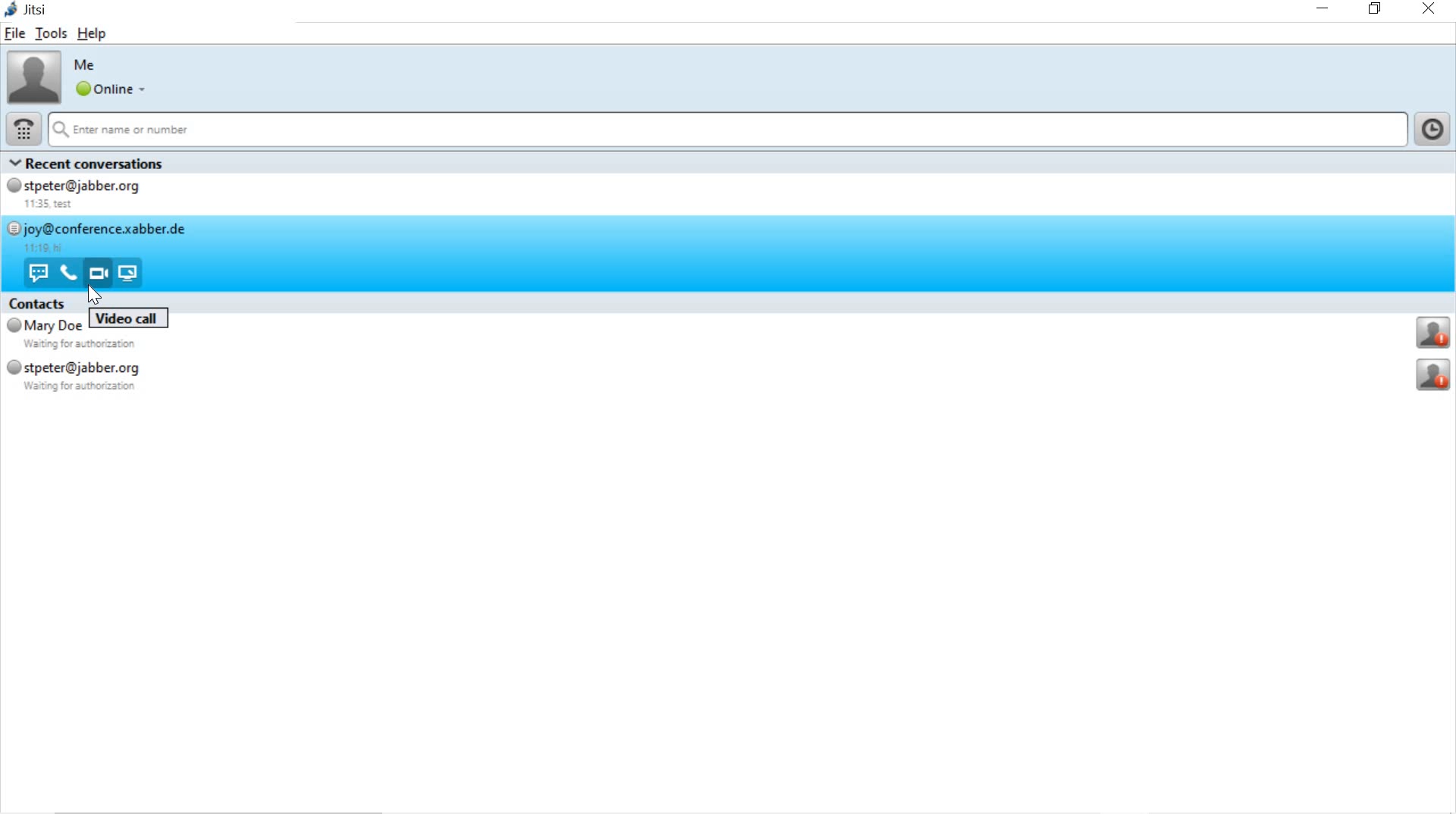 The image size is (1456, 814). What do you see at coordinates (102, 236) in the screenshot?
I see ` joy@conference.xabber.de 11:19 hi` at bounding box center [102, 236].